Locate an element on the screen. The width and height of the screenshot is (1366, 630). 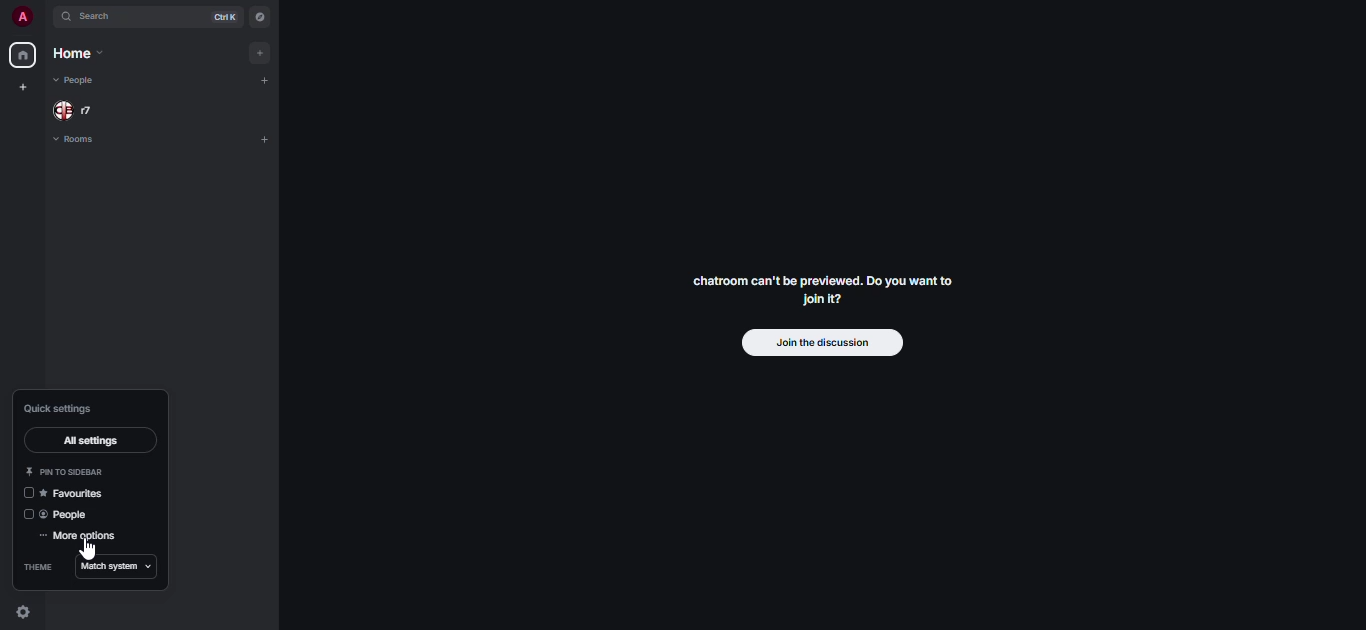
people is located at coordinates (69, 515).